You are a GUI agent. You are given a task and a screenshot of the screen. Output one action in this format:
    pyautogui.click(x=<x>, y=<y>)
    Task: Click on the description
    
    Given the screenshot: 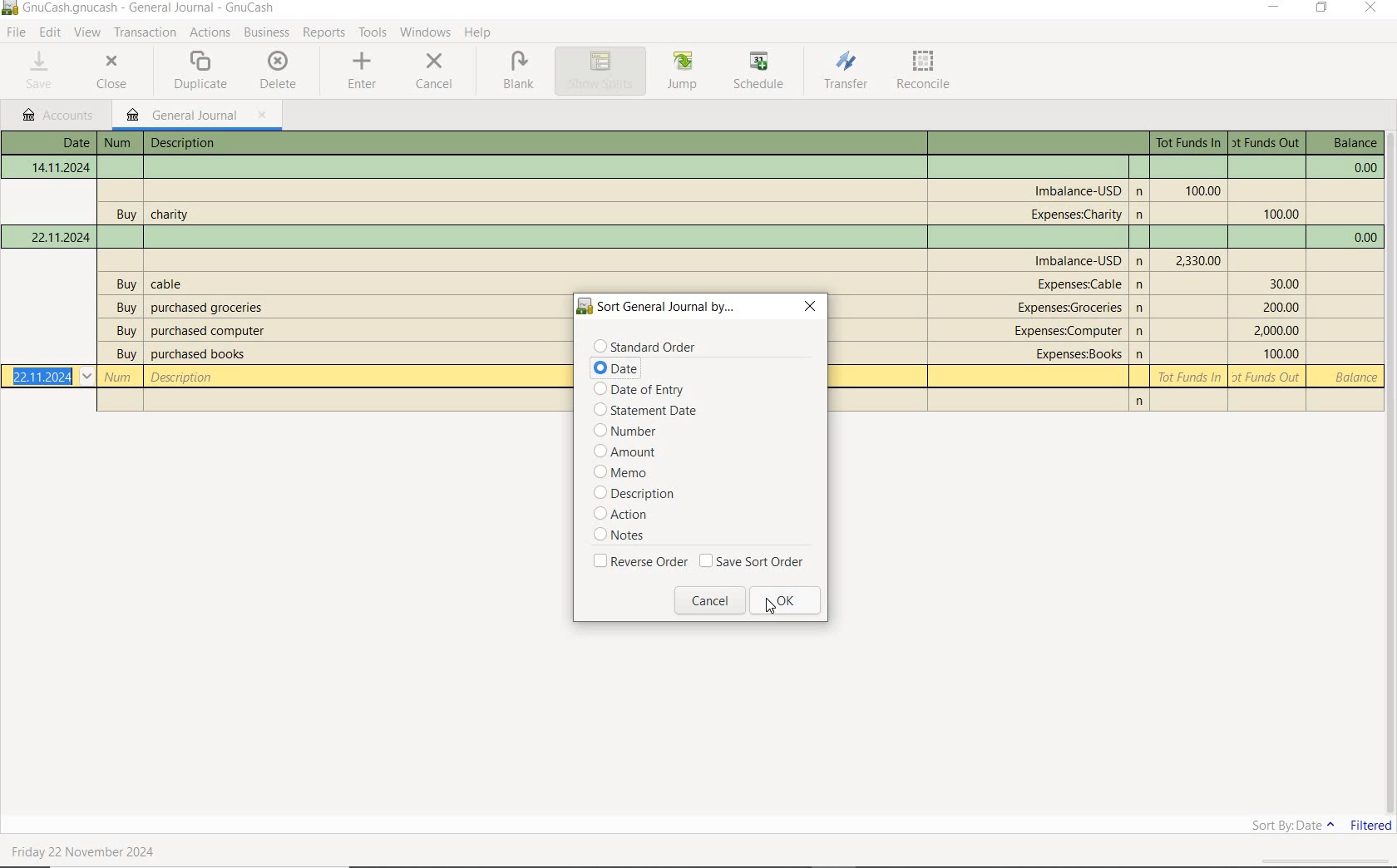 What is the action you would take?
    pyautogui.click(x=168, y=284)
    